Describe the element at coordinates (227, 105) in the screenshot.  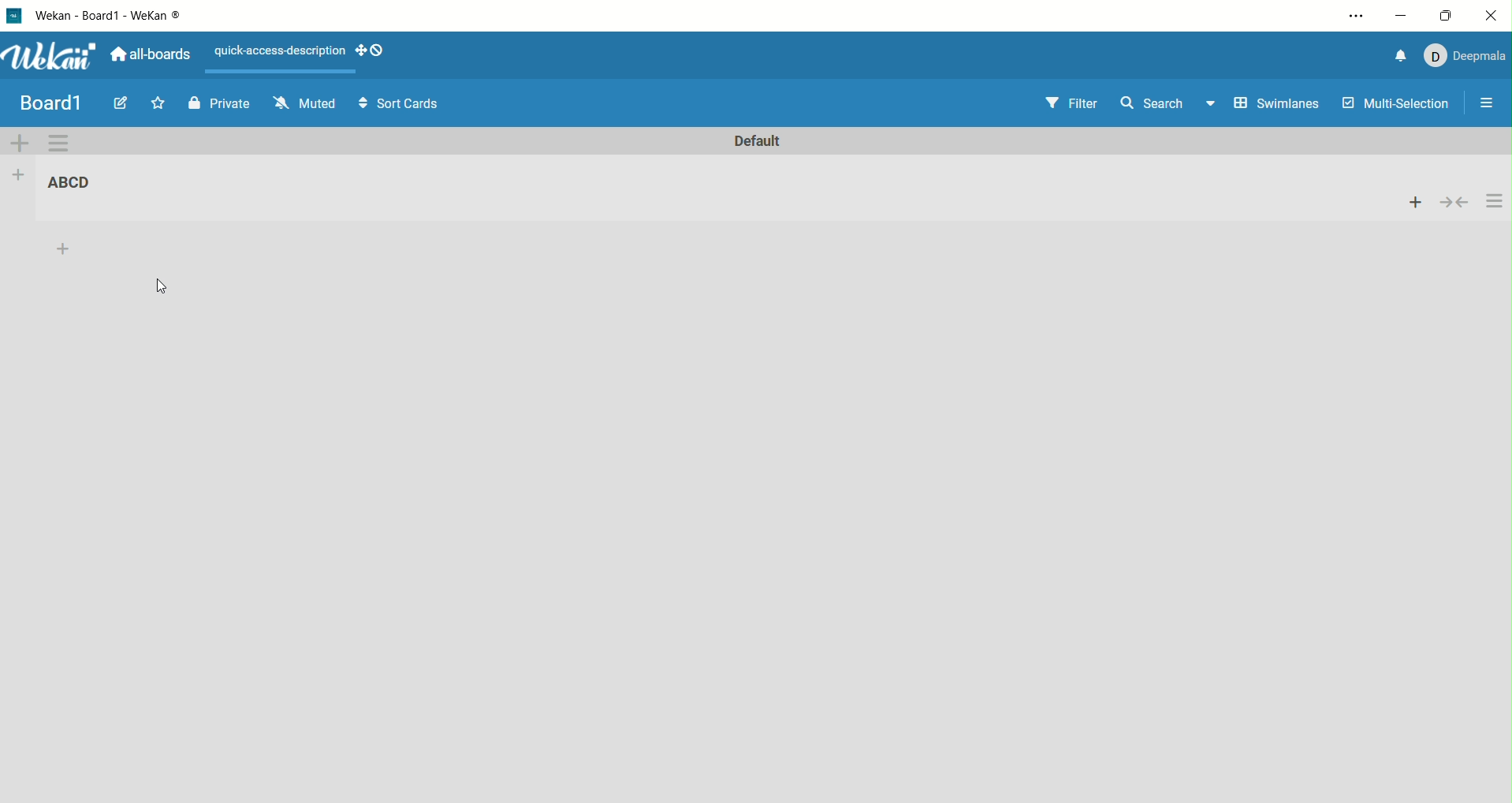
I see `private` at that location.